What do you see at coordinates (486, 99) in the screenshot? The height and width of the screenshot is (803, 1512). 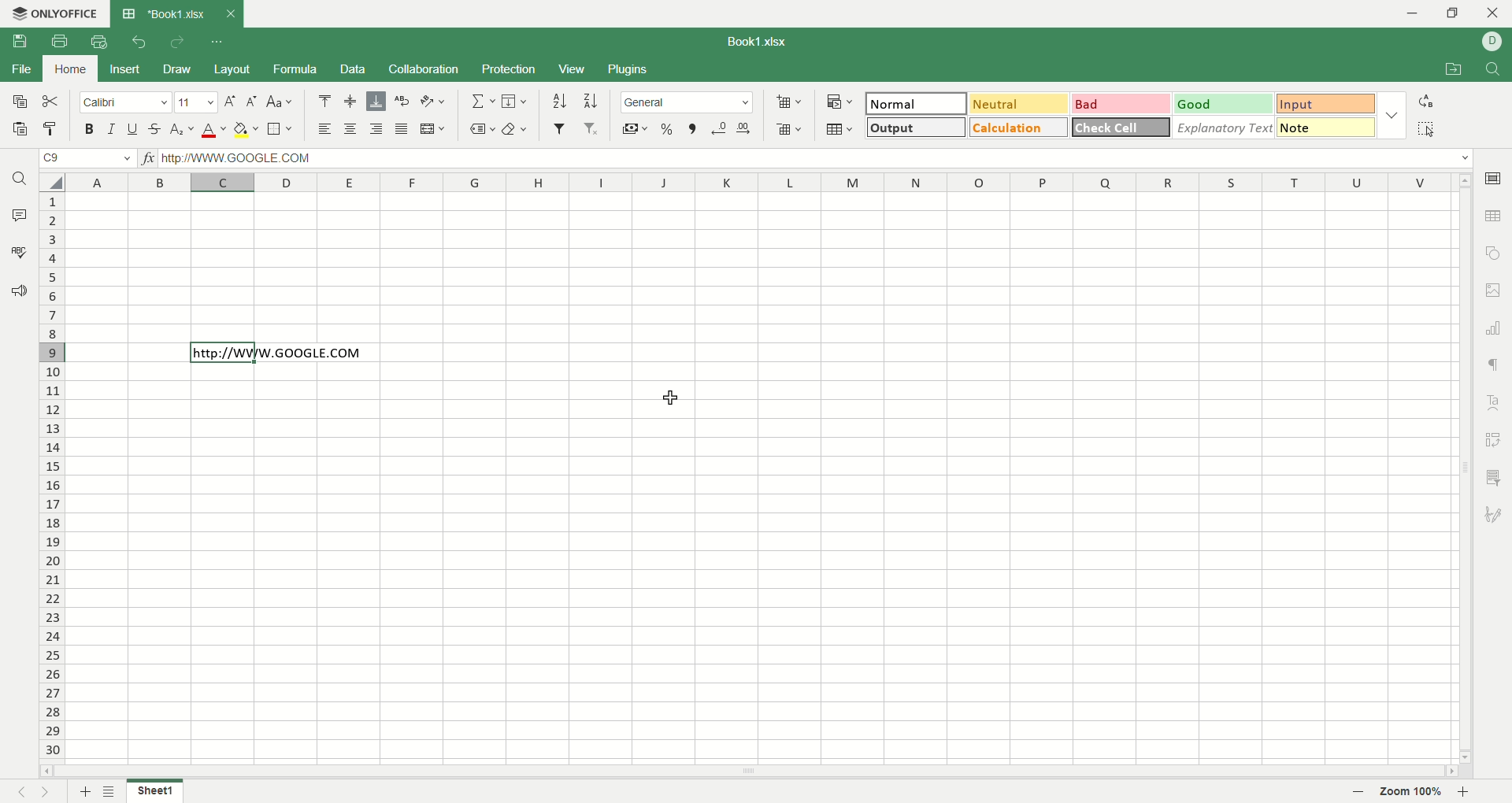 I see `summation` at bounding box center [486, 99].